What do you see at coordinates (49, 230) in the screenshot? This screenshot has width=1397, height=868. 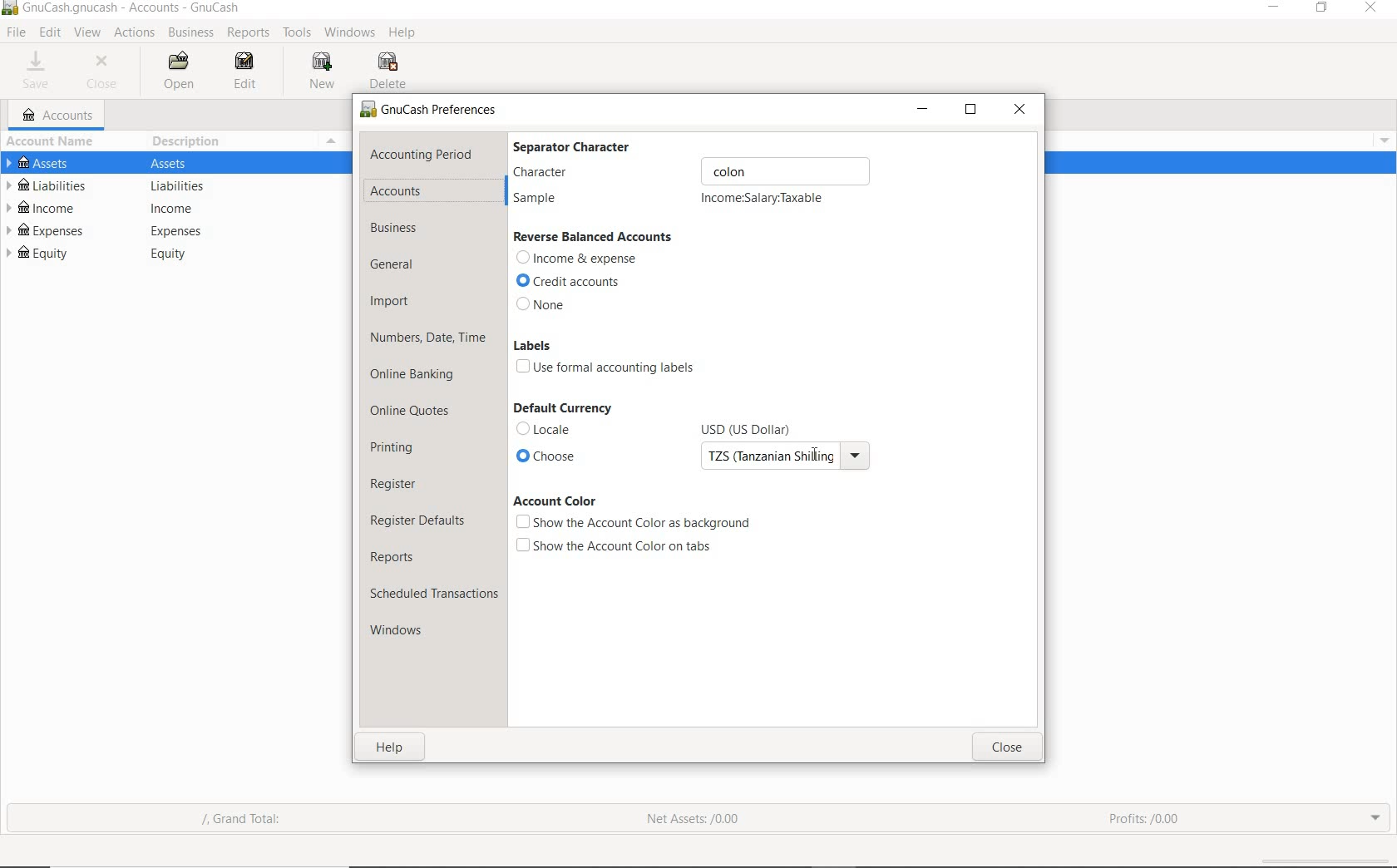 I see `EXPENSES` at bounding box center [49, 230].